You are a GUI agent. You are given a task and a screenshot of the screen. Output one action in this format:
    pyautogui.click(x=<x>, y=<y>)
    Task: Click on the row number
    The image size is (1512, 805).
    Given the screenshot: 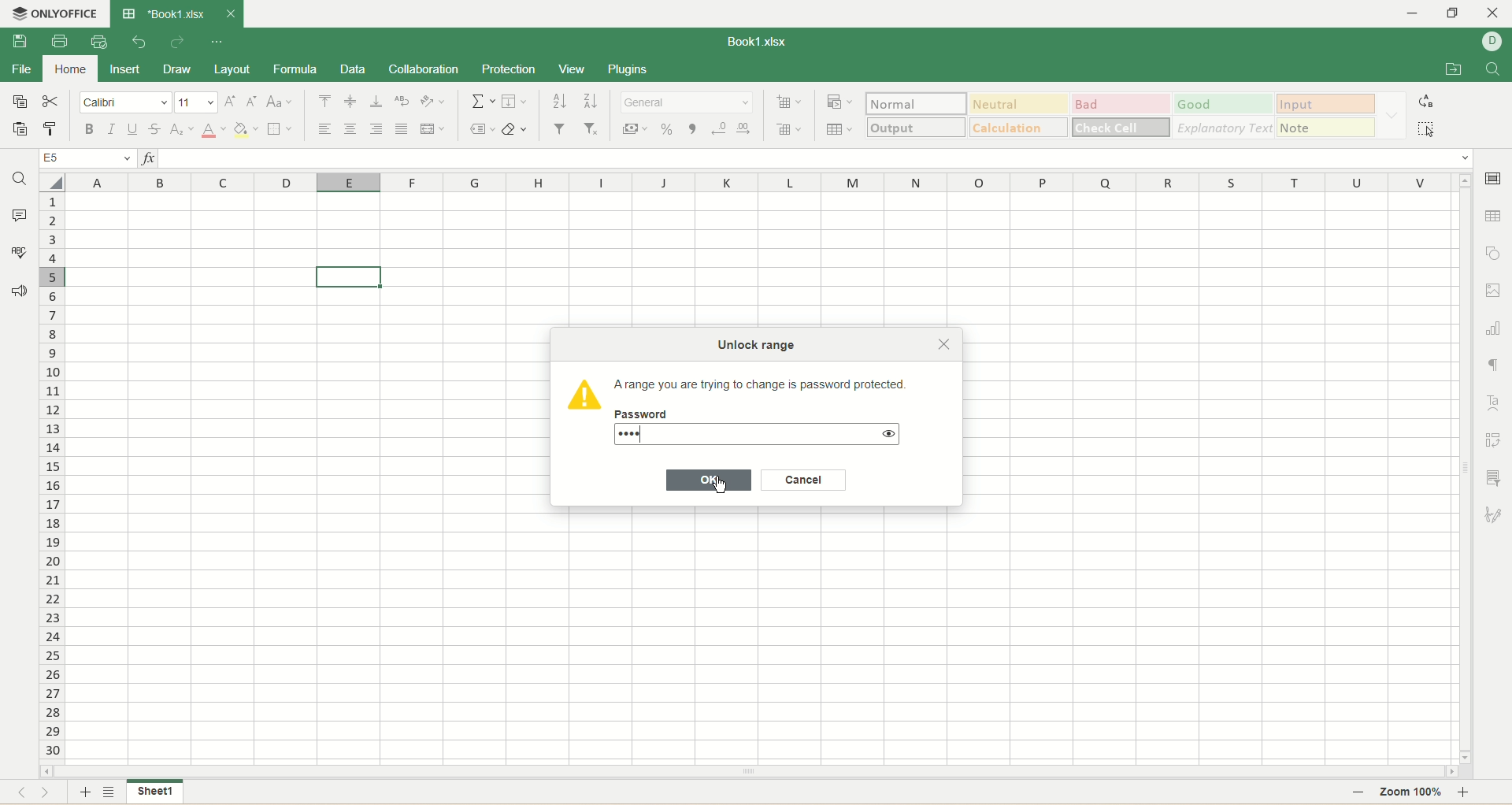 What is the action you would take?
    pyautogui.click(x=55, y=473)
    